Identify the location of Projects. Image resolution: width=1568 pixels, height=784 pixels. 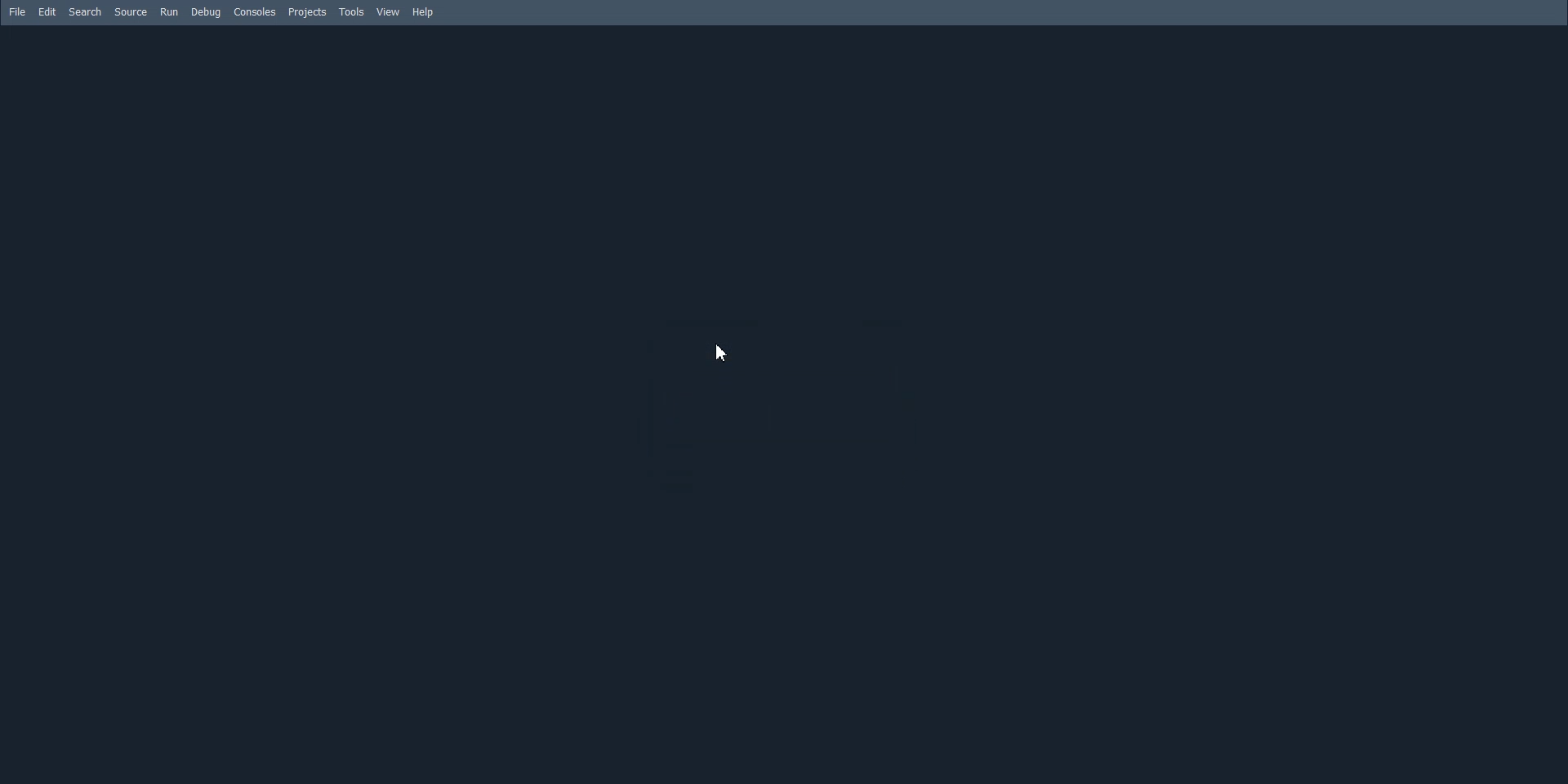
(307, 12).